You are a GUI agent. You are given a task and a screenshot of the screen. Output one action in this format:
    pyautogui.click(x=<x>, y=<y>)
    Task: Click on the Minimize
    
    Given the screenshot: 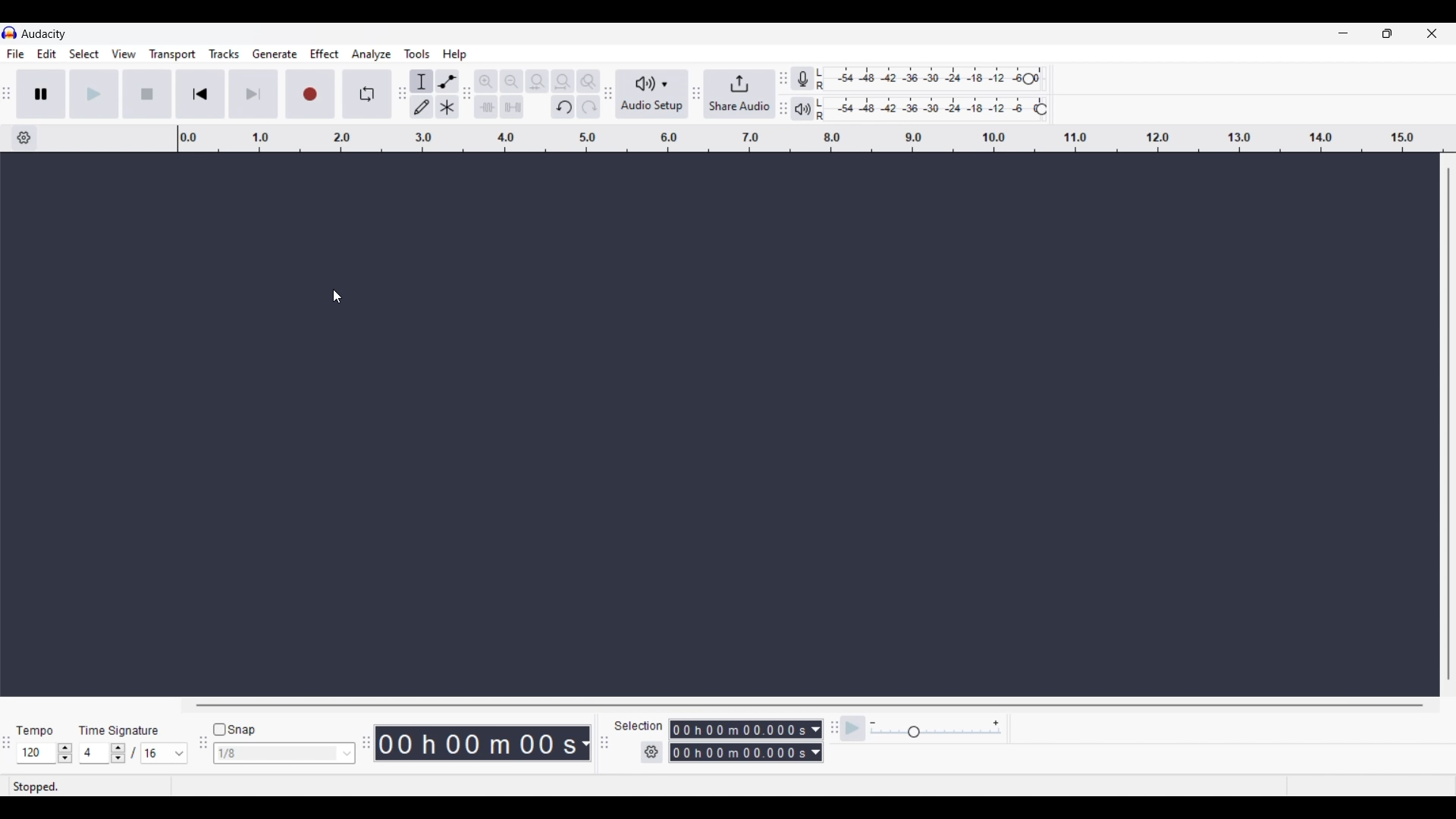 What is the action you would take?
    pyautogui.click(x=1343, y=33)
    